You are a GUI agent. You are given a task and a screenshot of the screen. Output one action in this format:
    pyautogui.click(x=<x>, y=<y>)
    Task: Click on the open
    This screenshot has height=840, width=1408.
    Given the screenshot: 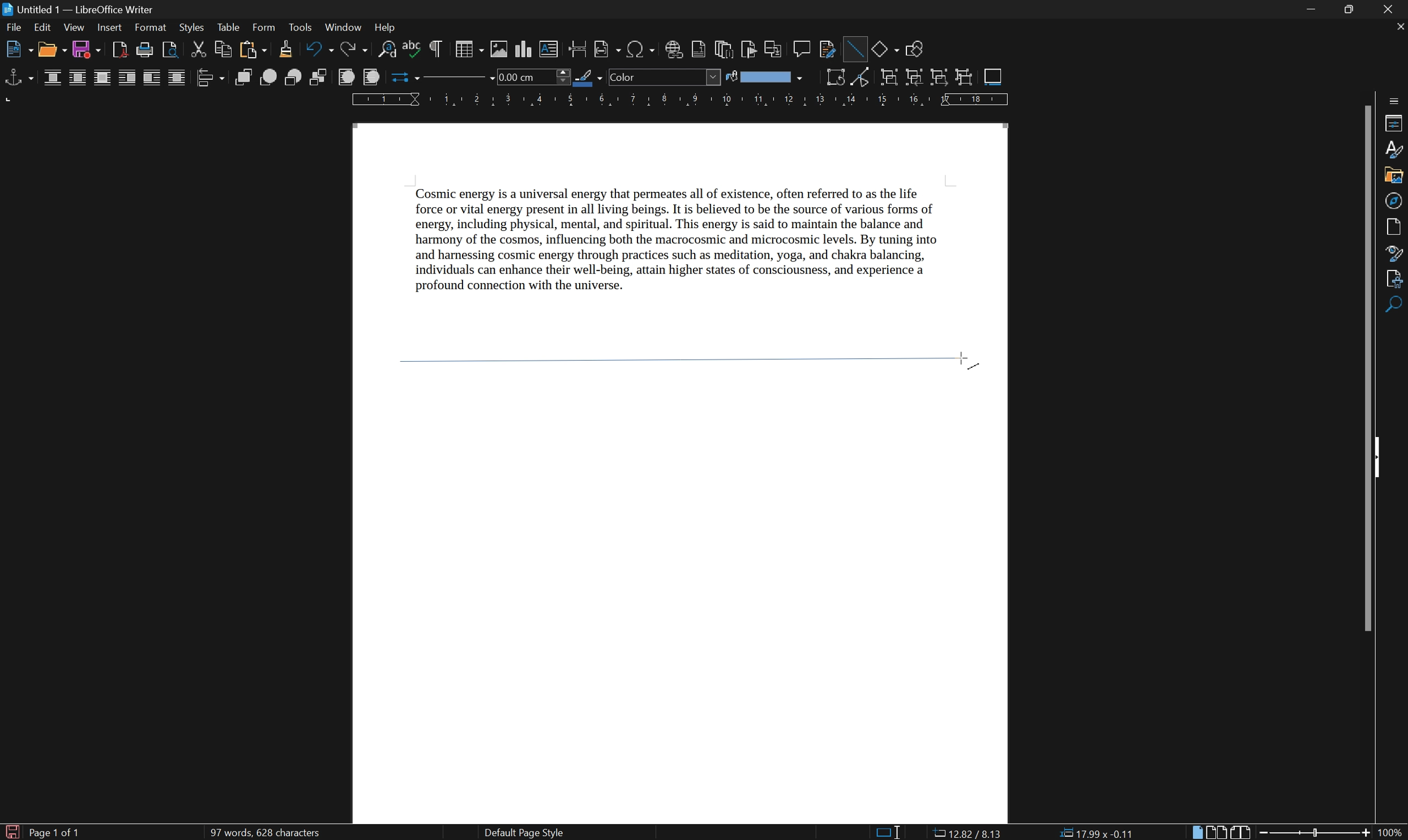 What is the action you would take?
    pyautogui.click(x=53, y=50)
    